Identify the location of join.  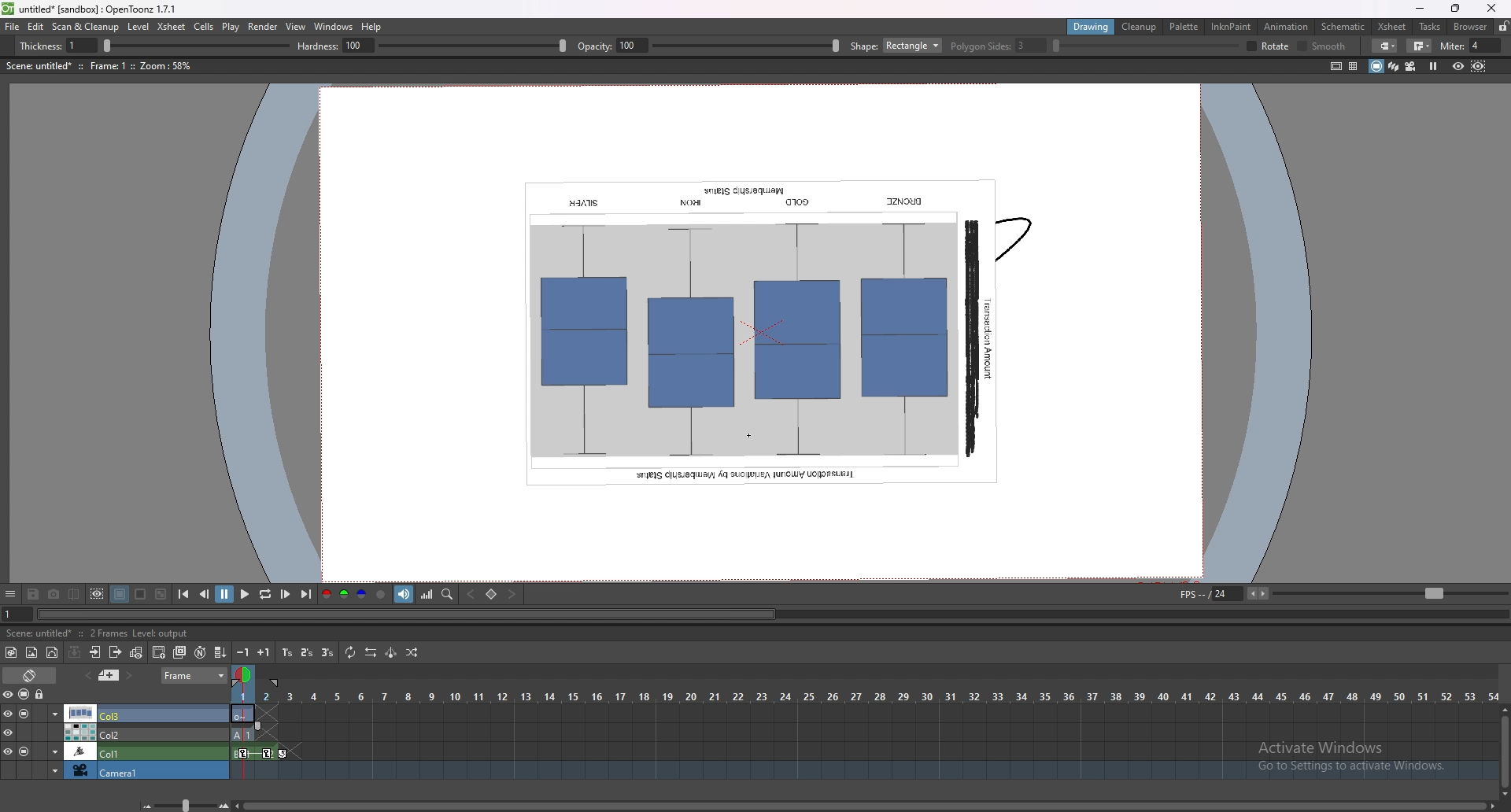
(1315, 46).